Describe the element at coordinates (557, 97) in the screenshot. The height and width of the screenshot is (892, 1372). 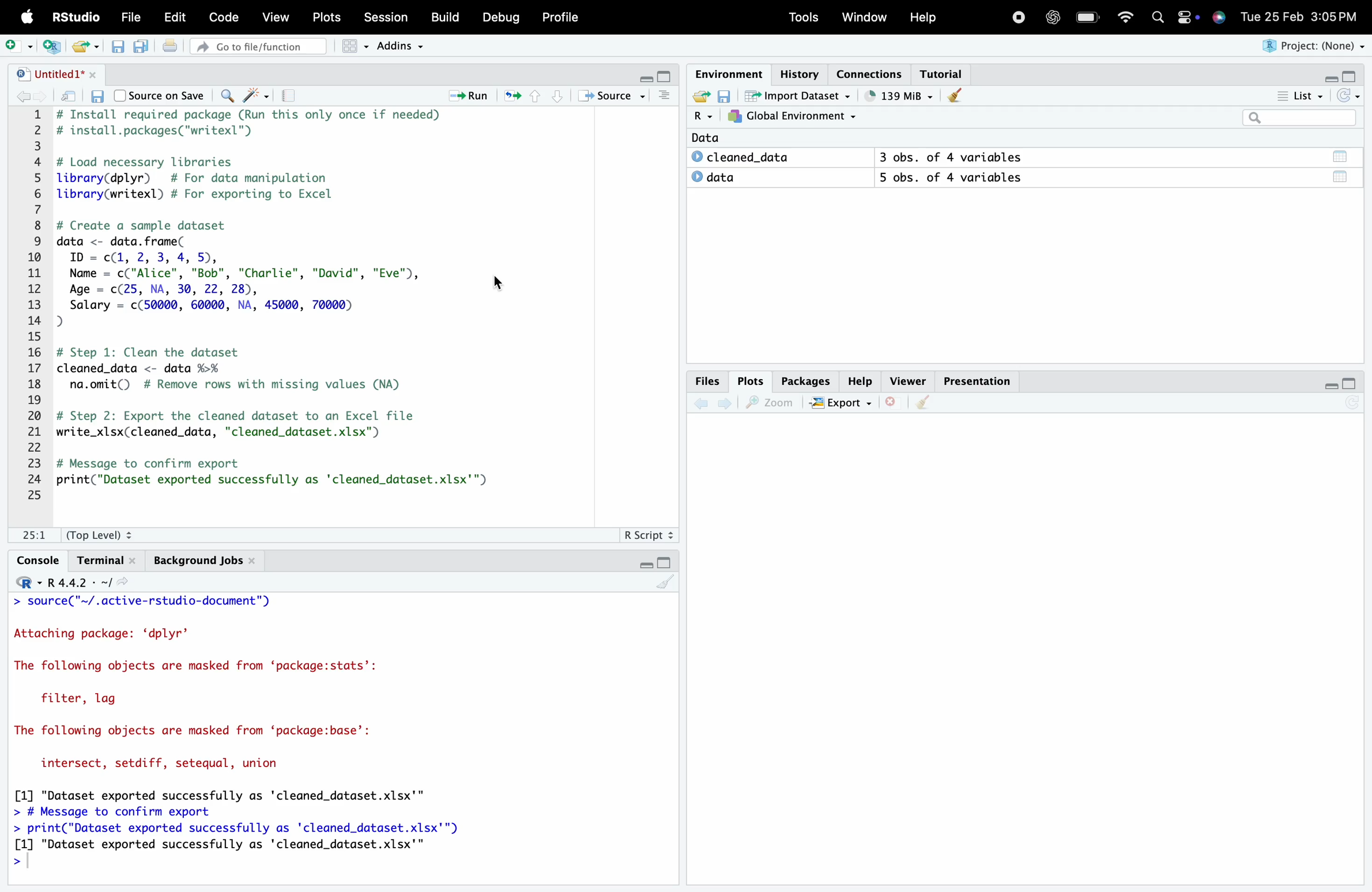
I see `Go to next section/chunk (Ctrl + pgDn)` at that location.